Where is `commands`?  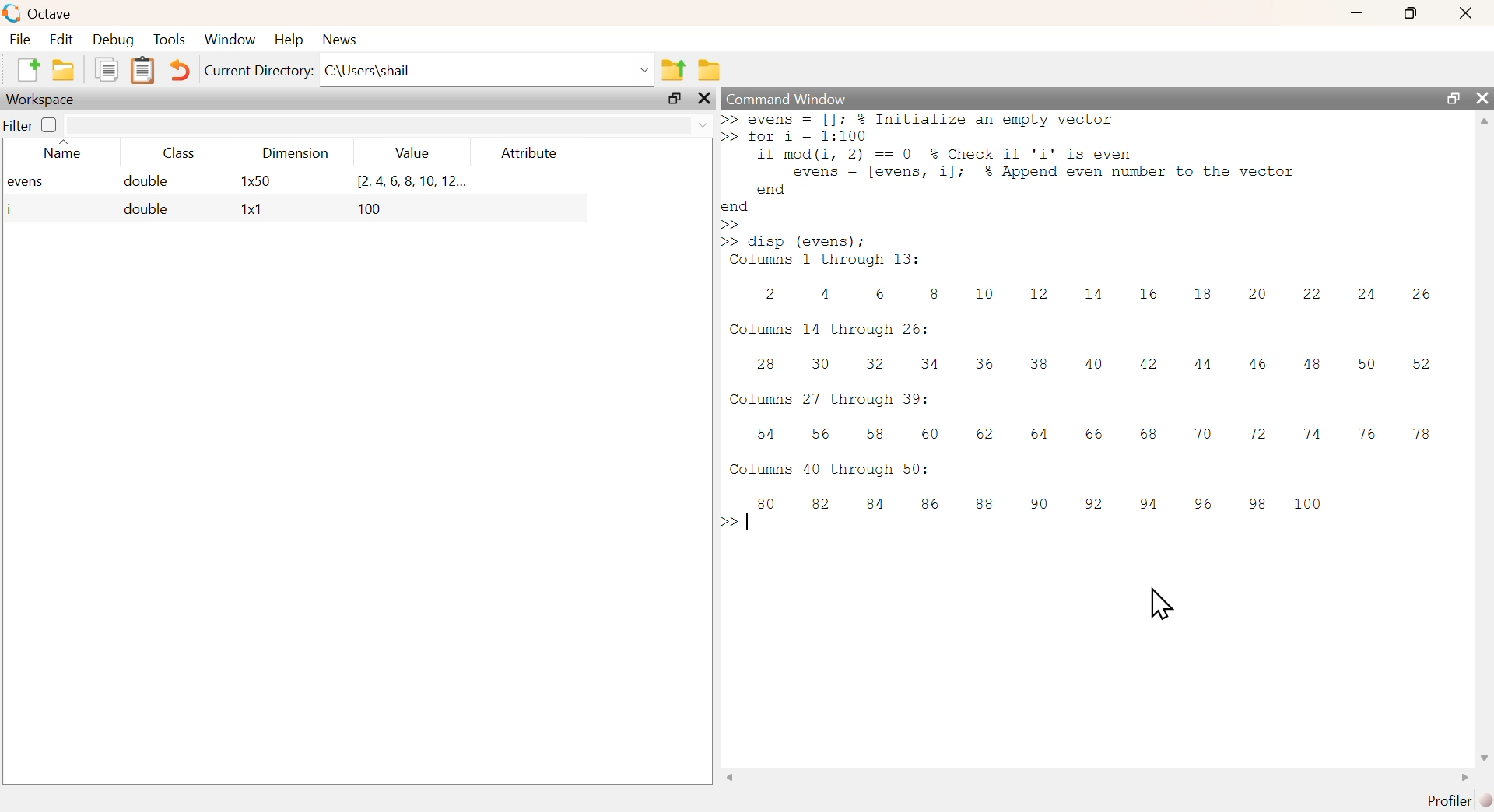
commands is located at coordinates (1082, 344).